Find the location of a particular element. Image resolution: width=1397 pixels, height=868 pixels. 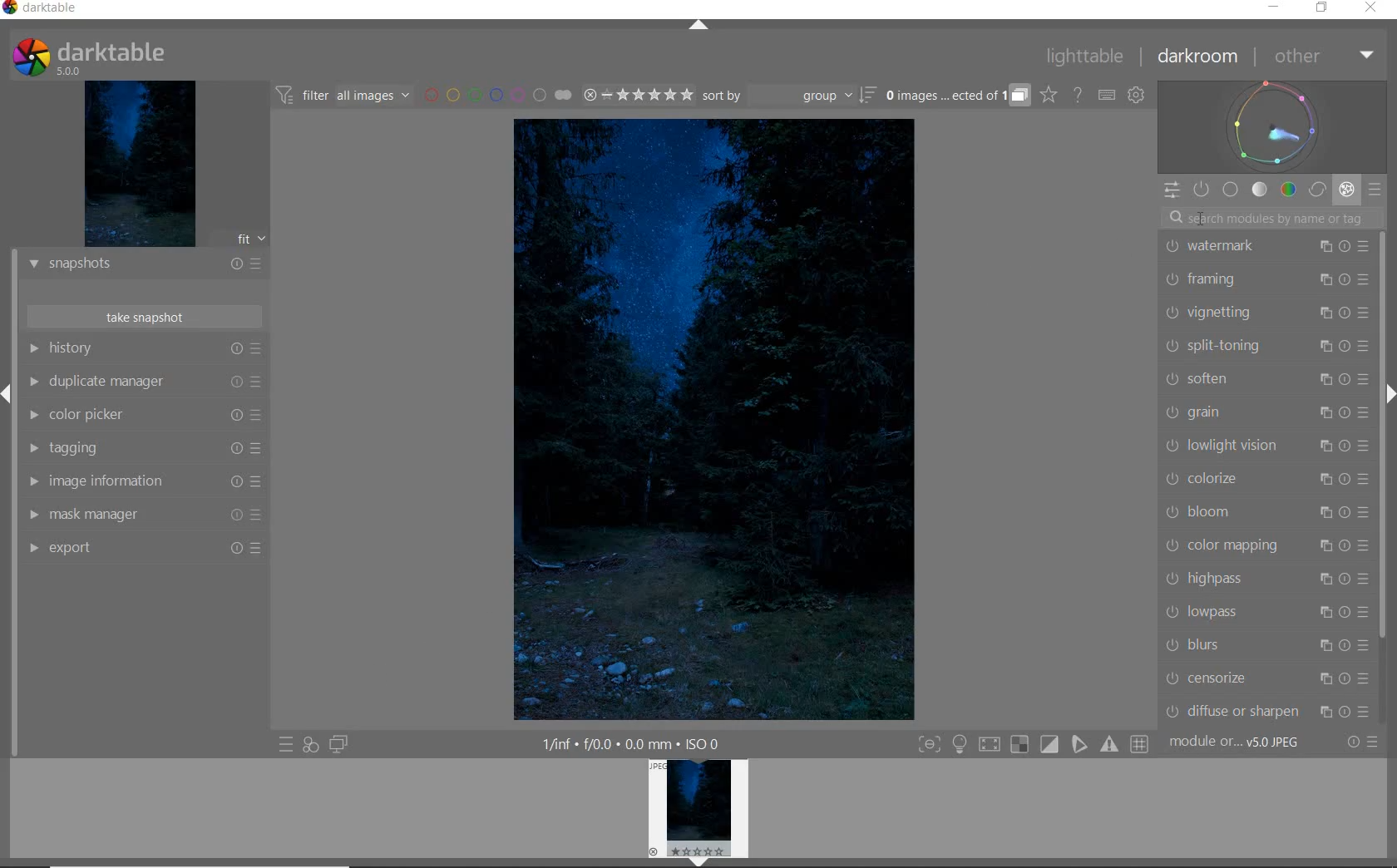

RESET OR PRESETS & PREFERENCES is located at coordinates (1364, 742).